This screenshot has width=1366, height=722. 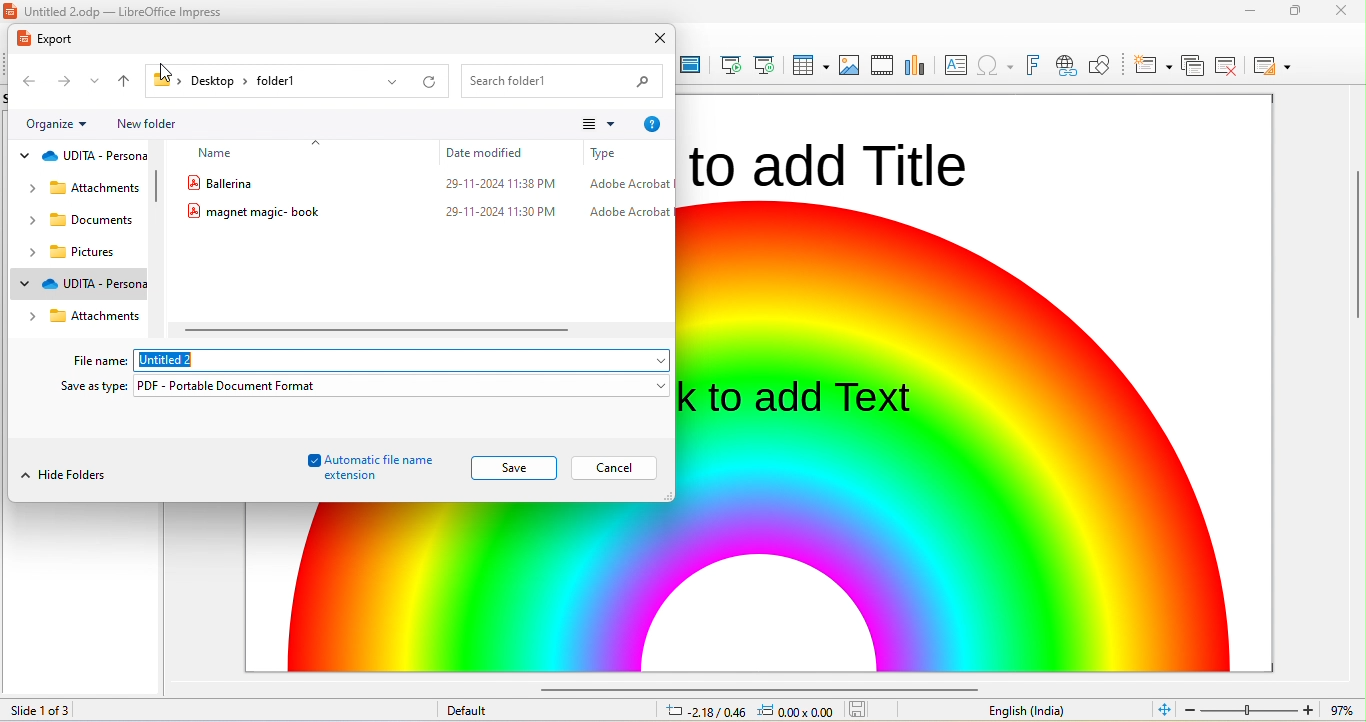 I want to click on drop down, so click(x=613, y=125).